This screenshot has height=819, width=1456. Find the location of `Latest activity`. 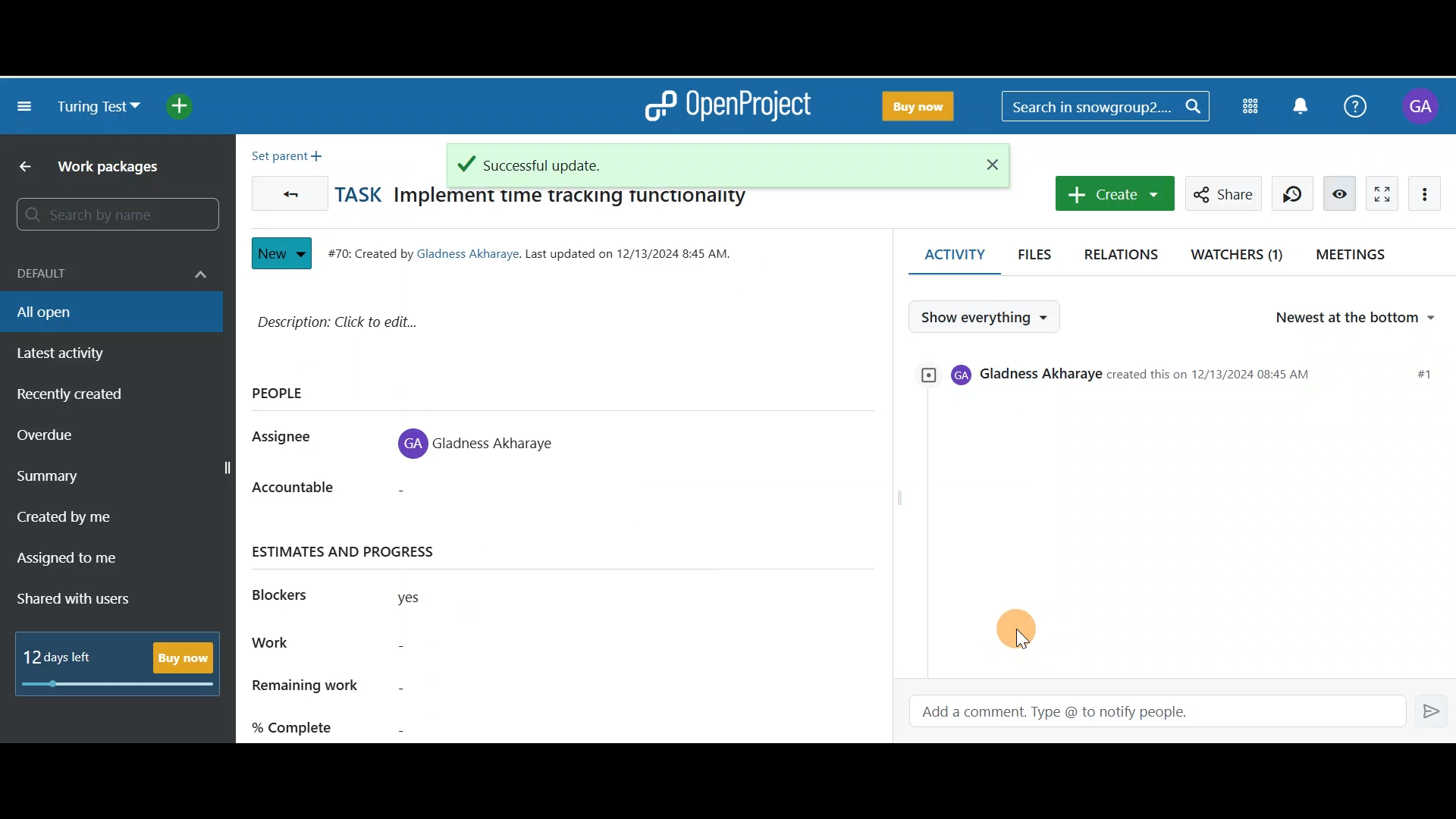

Latest activity is located at coordinates (83, 354).